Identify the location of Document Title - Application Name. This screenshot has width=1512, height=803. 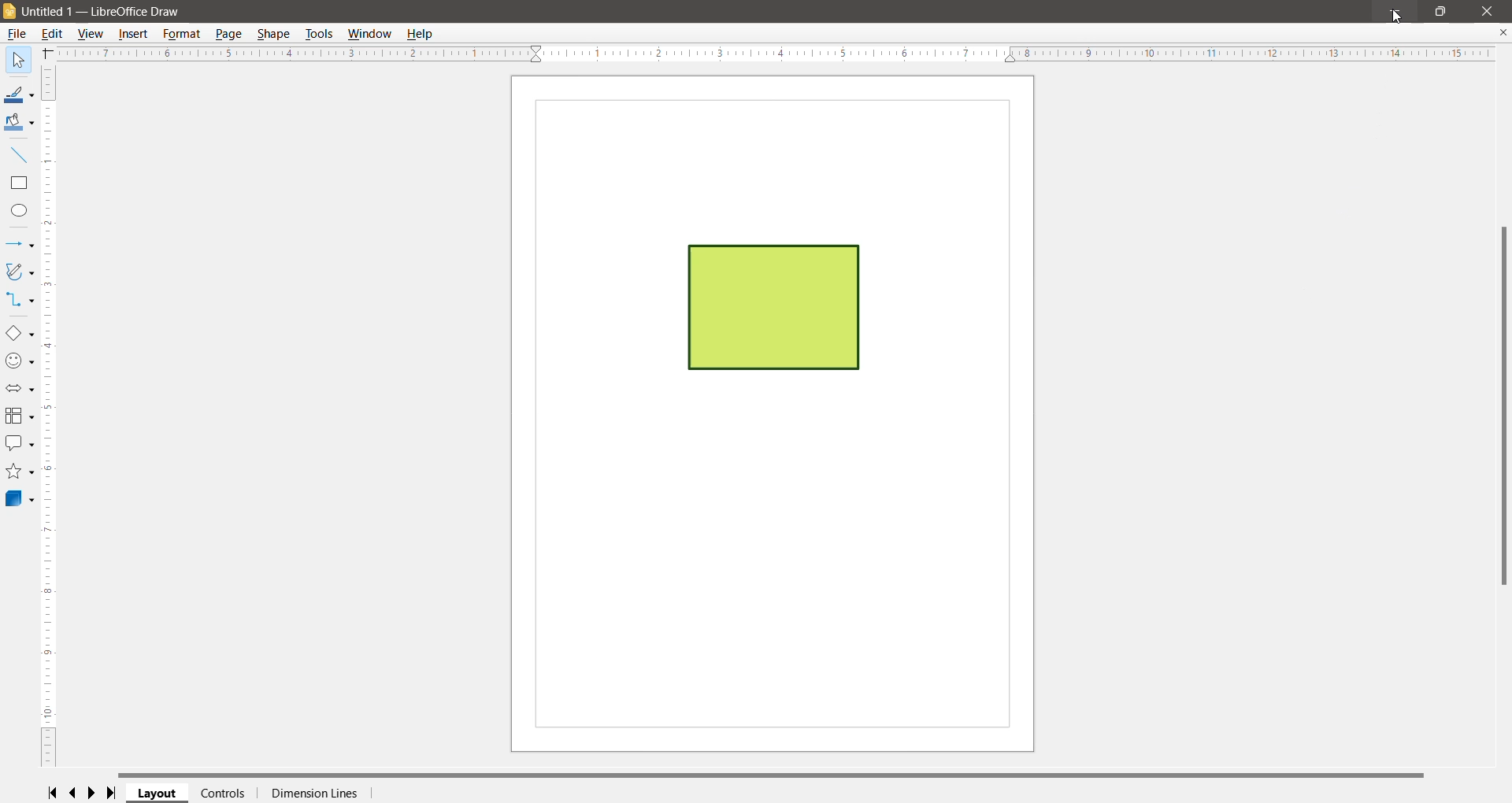
(106, 12).